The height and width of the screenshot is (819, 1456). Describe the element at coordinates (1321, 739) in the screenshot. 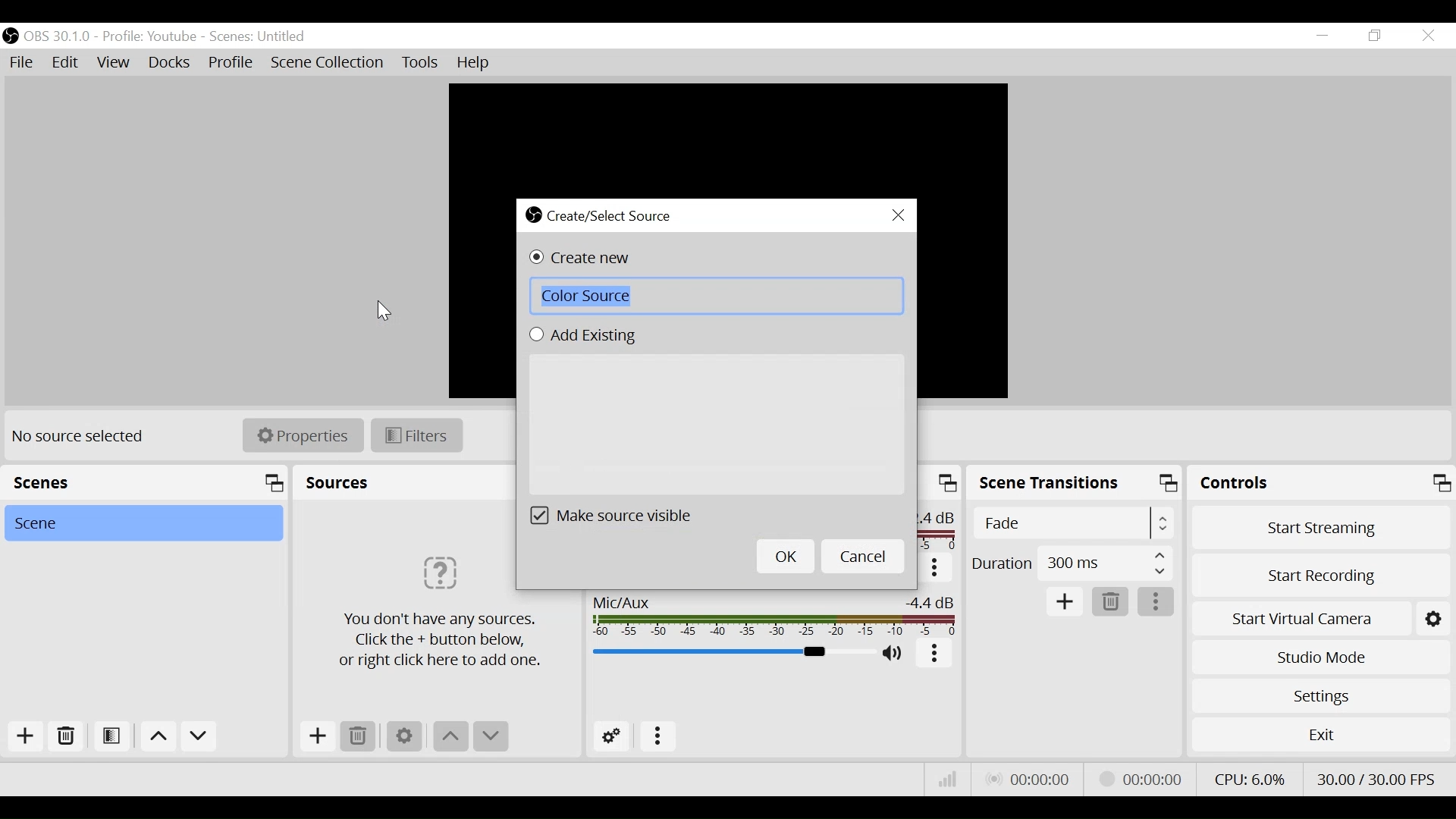

I see `Exit` at that location.